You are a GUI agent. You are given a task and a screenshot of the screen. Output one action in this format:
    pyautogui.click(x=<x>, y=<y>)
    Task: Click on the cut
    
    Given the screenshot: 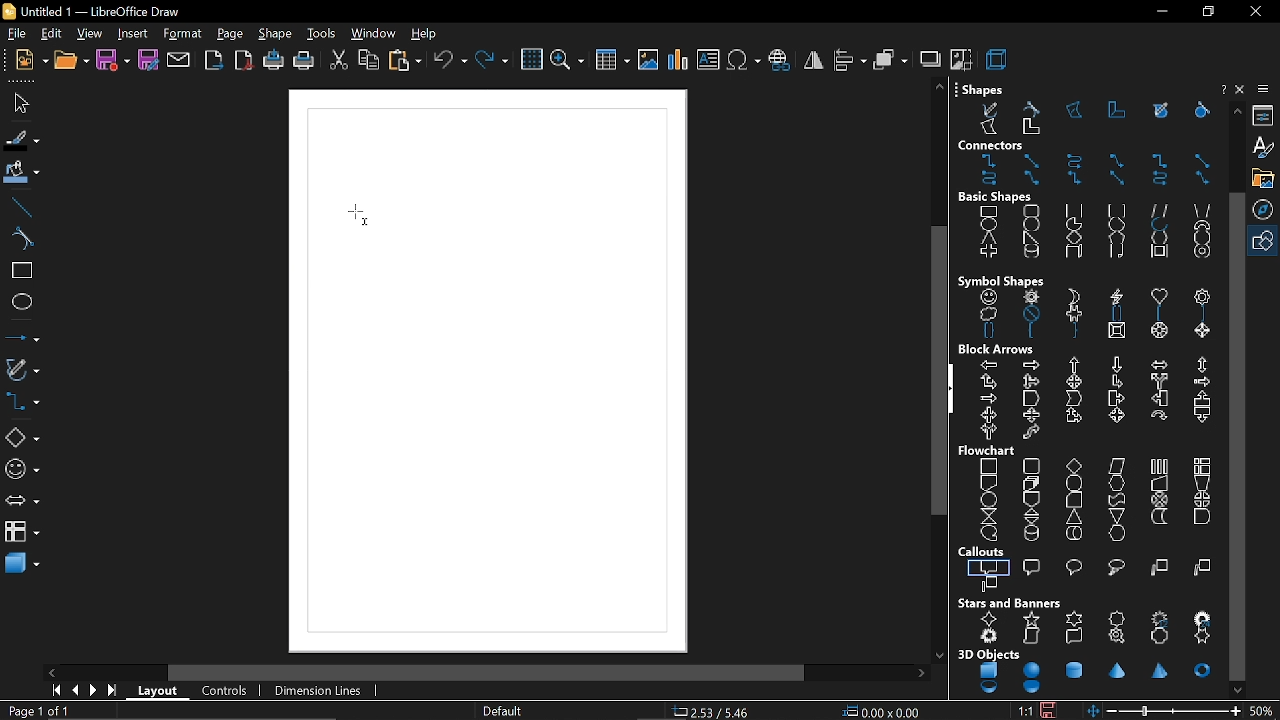 What is the action you would take?
    pyautogui.click(x=338, y=61)
    